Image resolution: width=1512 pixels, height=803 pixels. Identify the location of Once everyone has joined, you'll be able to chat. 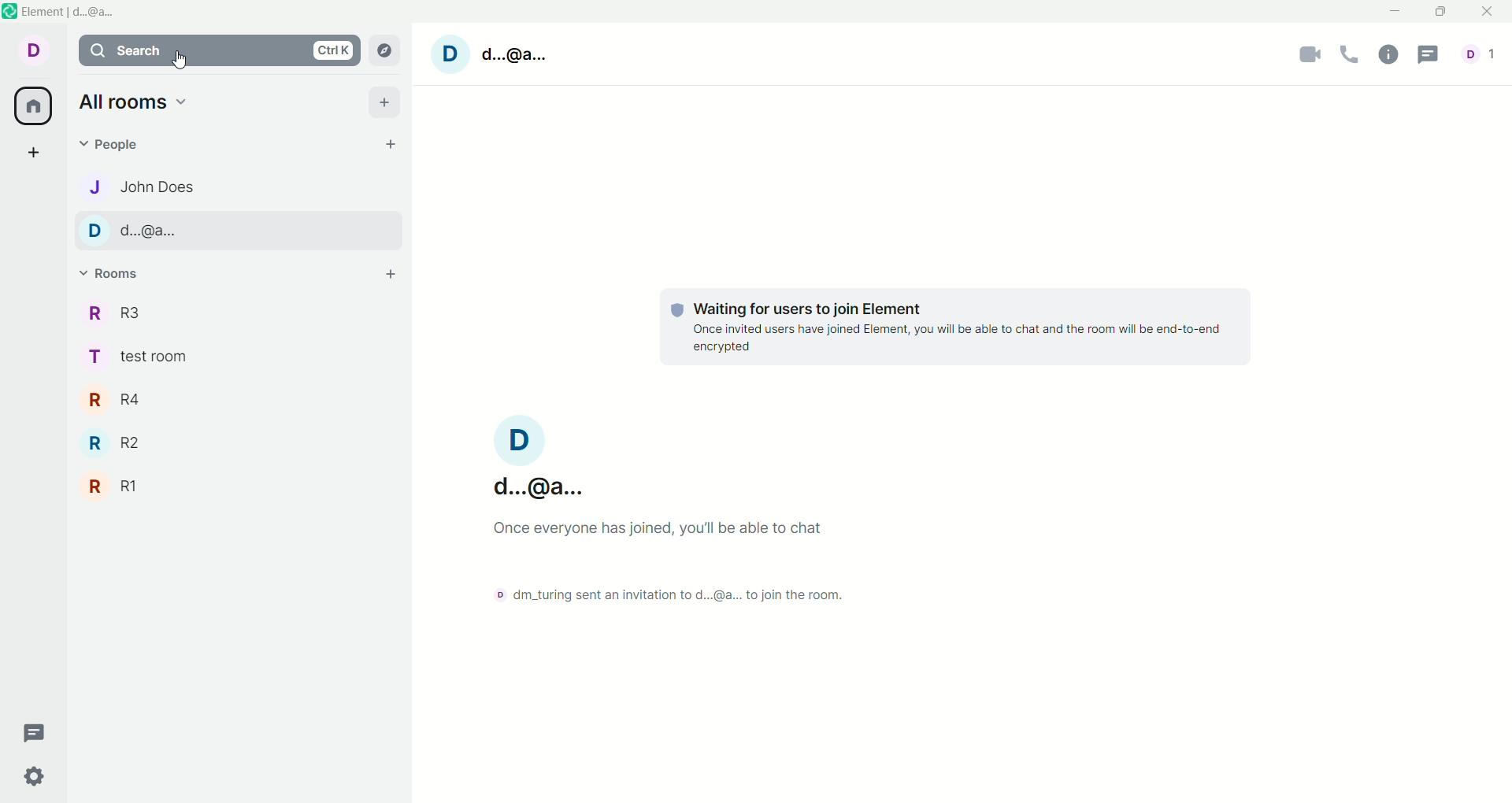
(662, 529).